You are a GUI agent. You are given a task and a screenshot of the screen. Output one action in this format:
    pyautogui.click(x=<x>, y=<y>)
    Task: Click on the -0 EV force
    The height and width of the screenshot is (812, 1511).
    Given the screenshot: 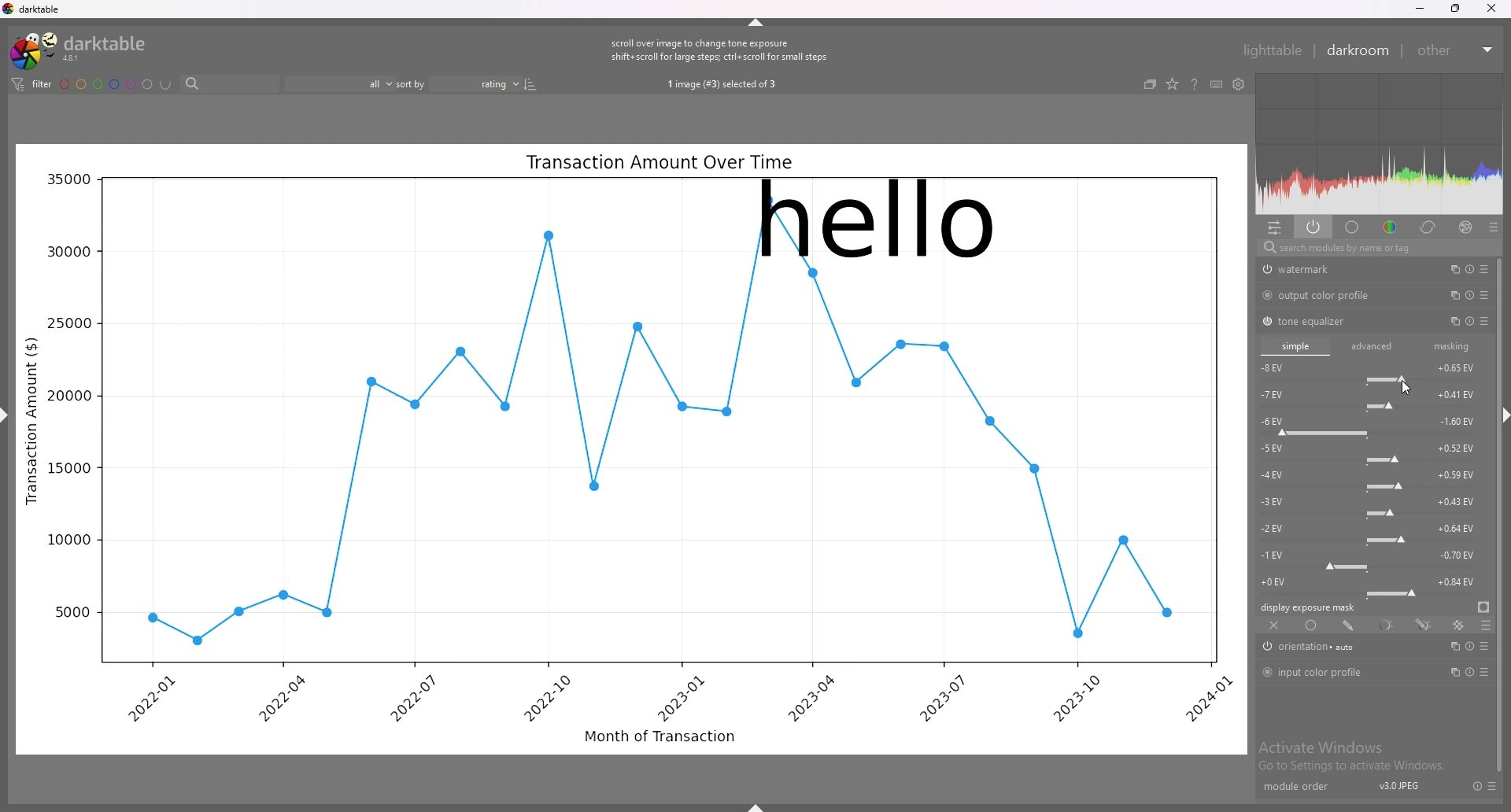 What is the action you would take?
    pyautogui.click(x=1372, y=585)
    